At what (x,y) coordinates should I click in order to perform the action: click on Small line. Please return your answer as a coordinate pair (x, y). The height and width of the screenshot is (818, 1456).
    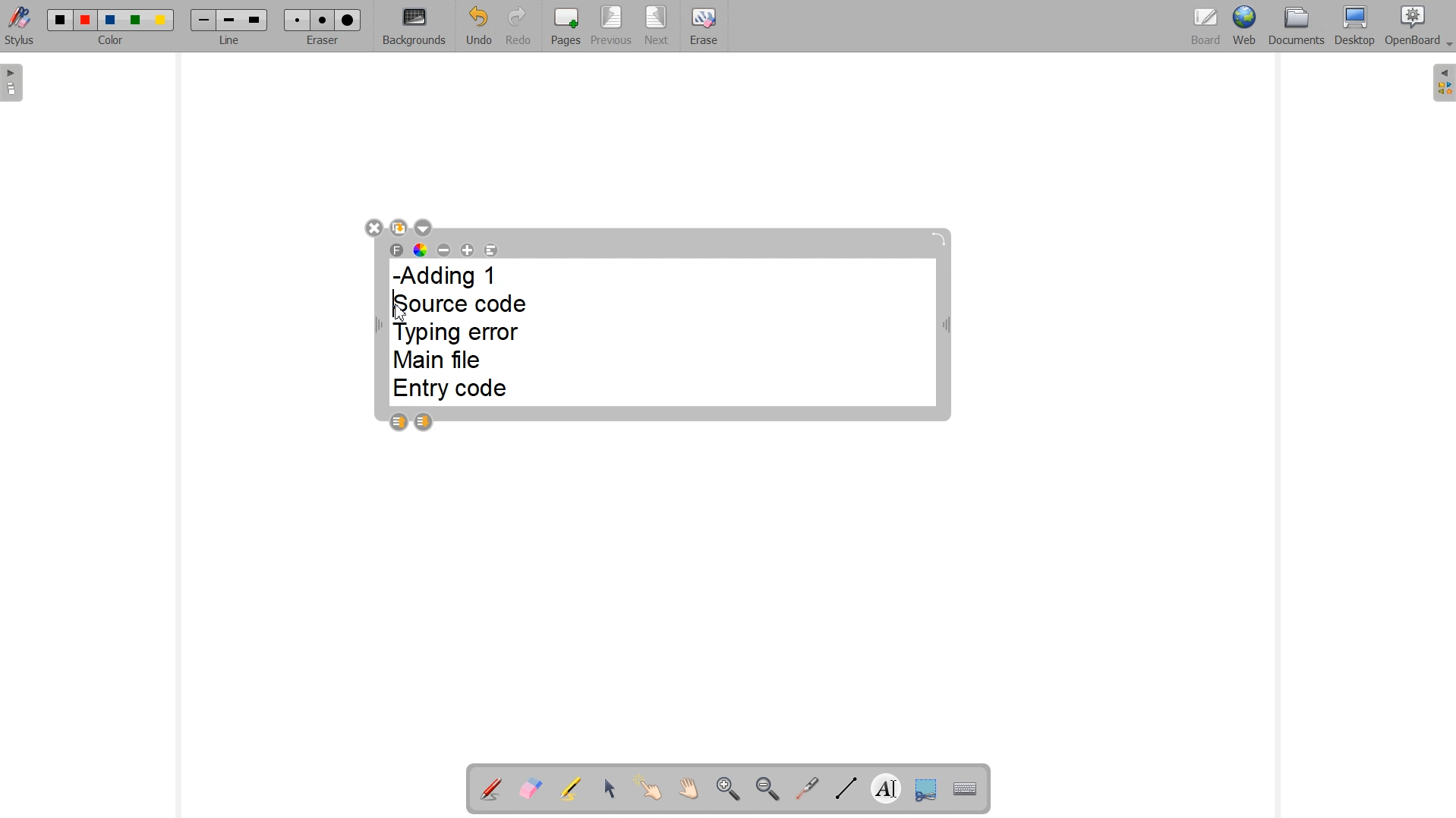
    Looking at the image, I should click on (204, 20).